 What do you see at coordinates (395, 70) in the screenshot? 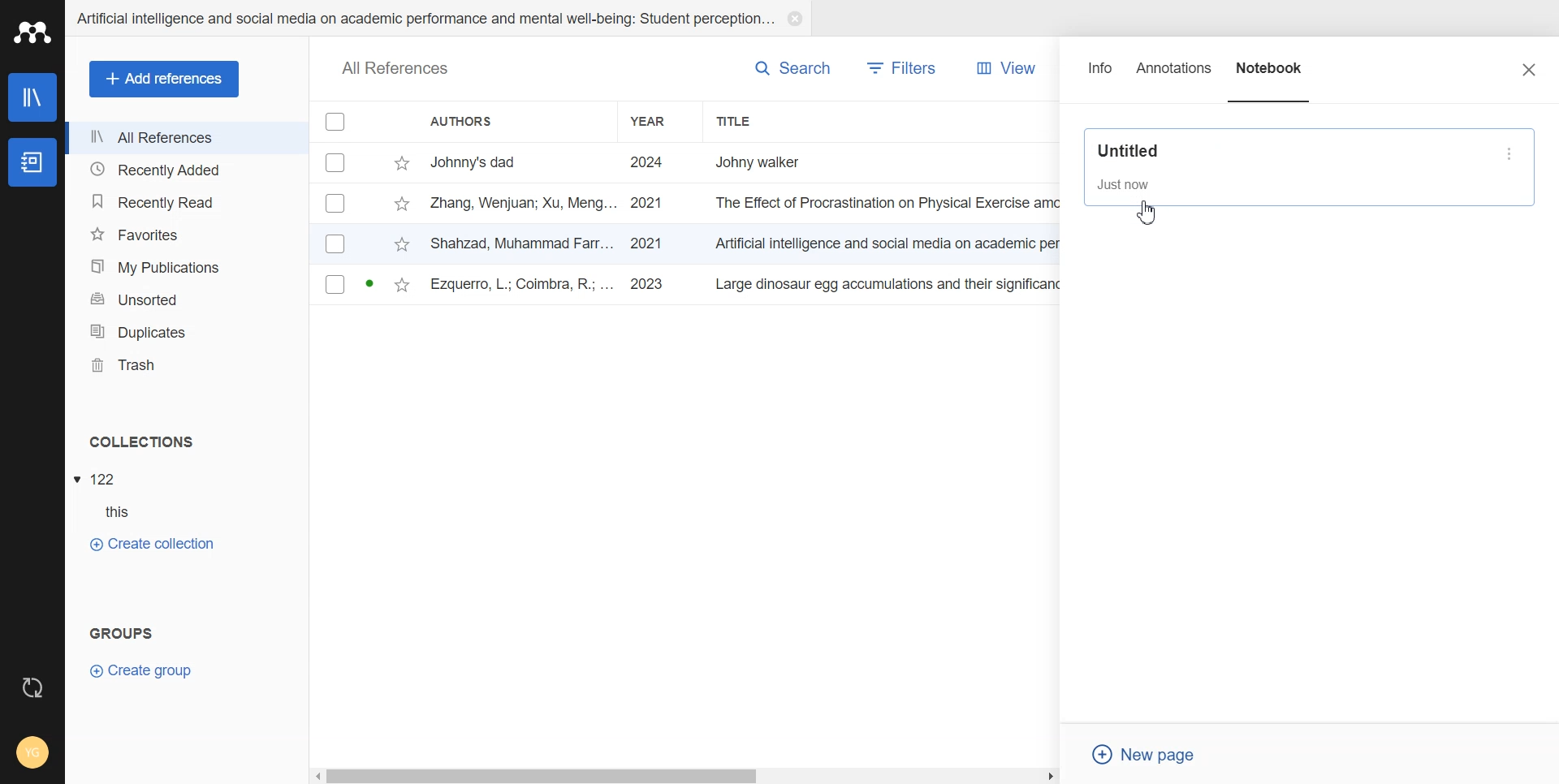
I see `all references` at bounding box center [395, 70].